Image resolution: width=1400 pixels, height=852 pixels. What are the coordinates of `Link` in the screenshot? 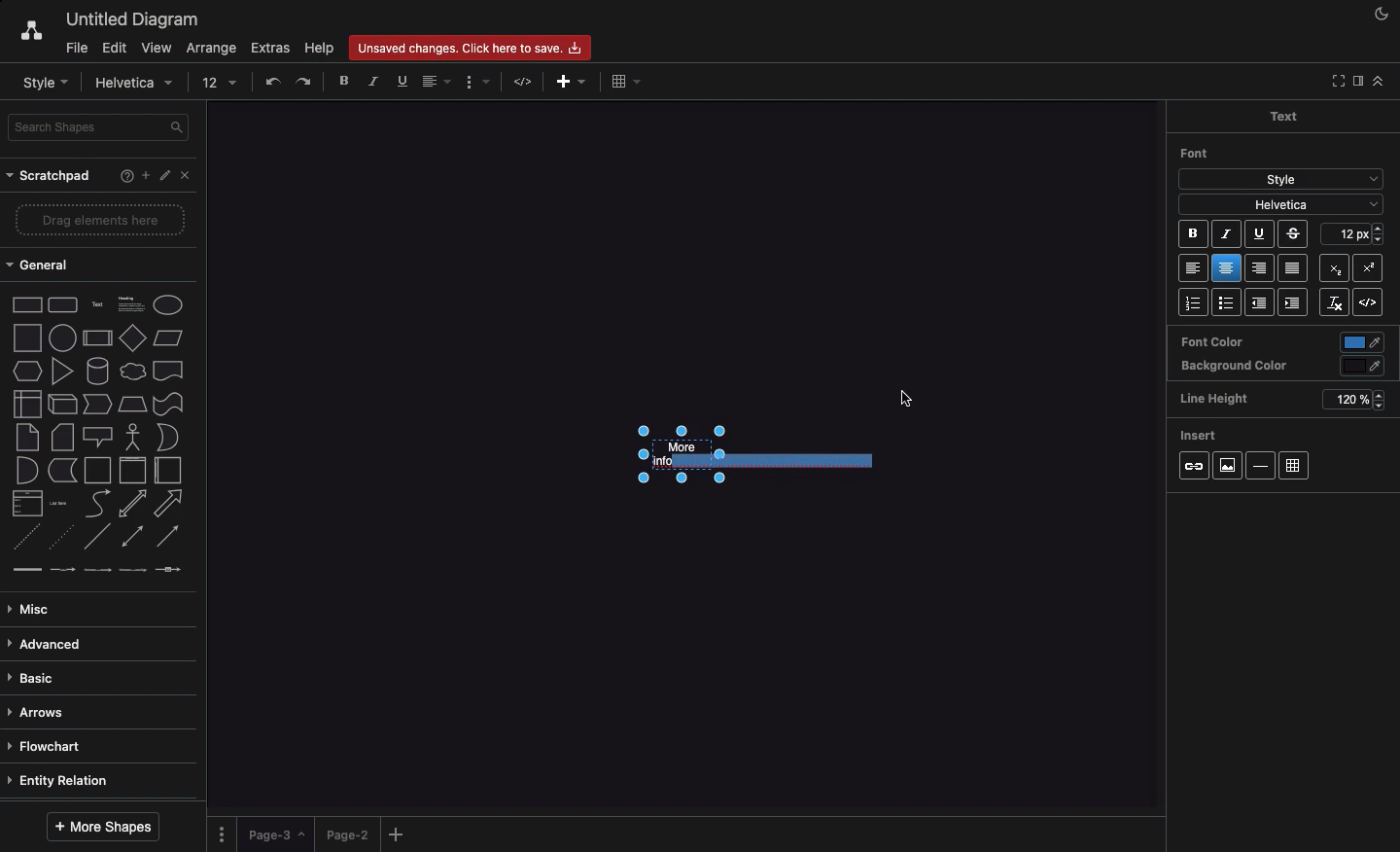 It's located at (1194, 467).